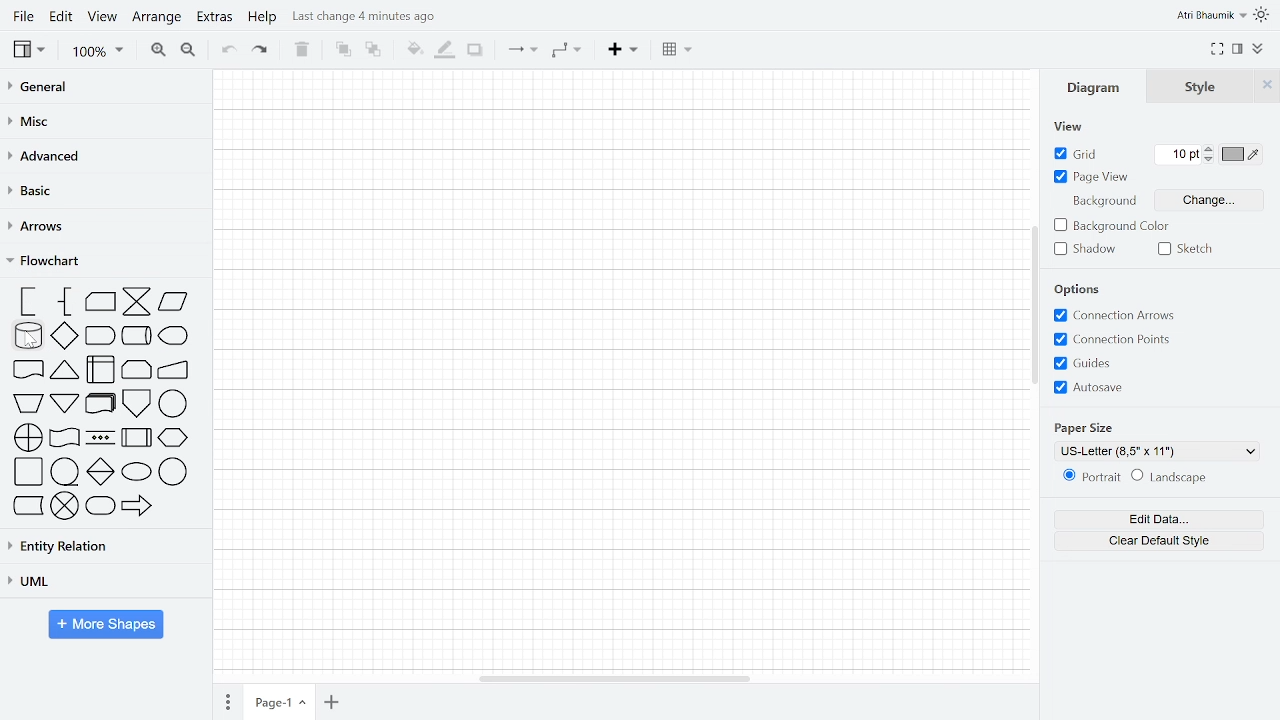  What do you see at coordinates (159, 50) in the screenshot?
I see `Zoom in` at bounding box center [159, 50].